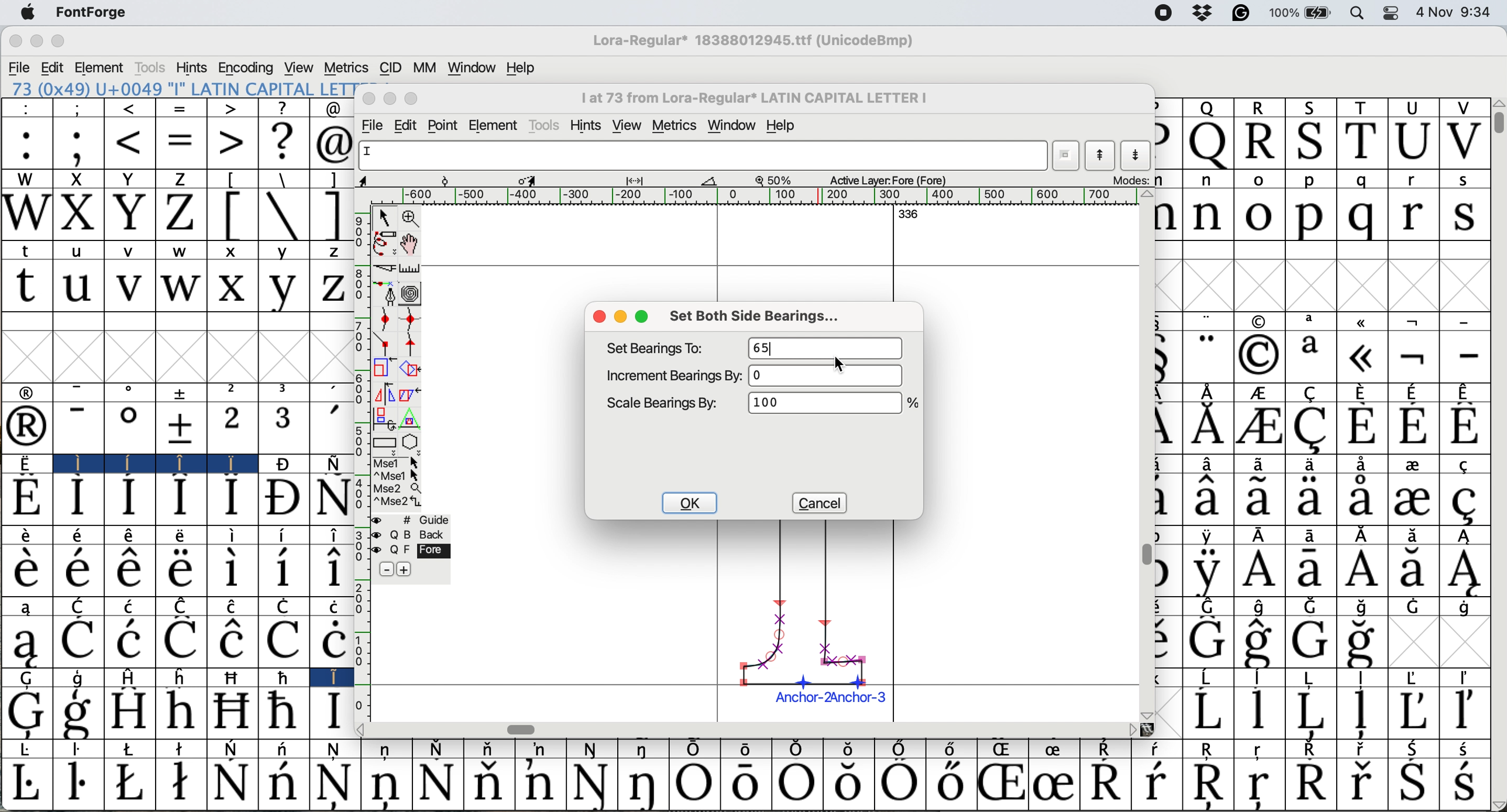 The image size is (1507, 812). I want to click on , so click(380, 519).